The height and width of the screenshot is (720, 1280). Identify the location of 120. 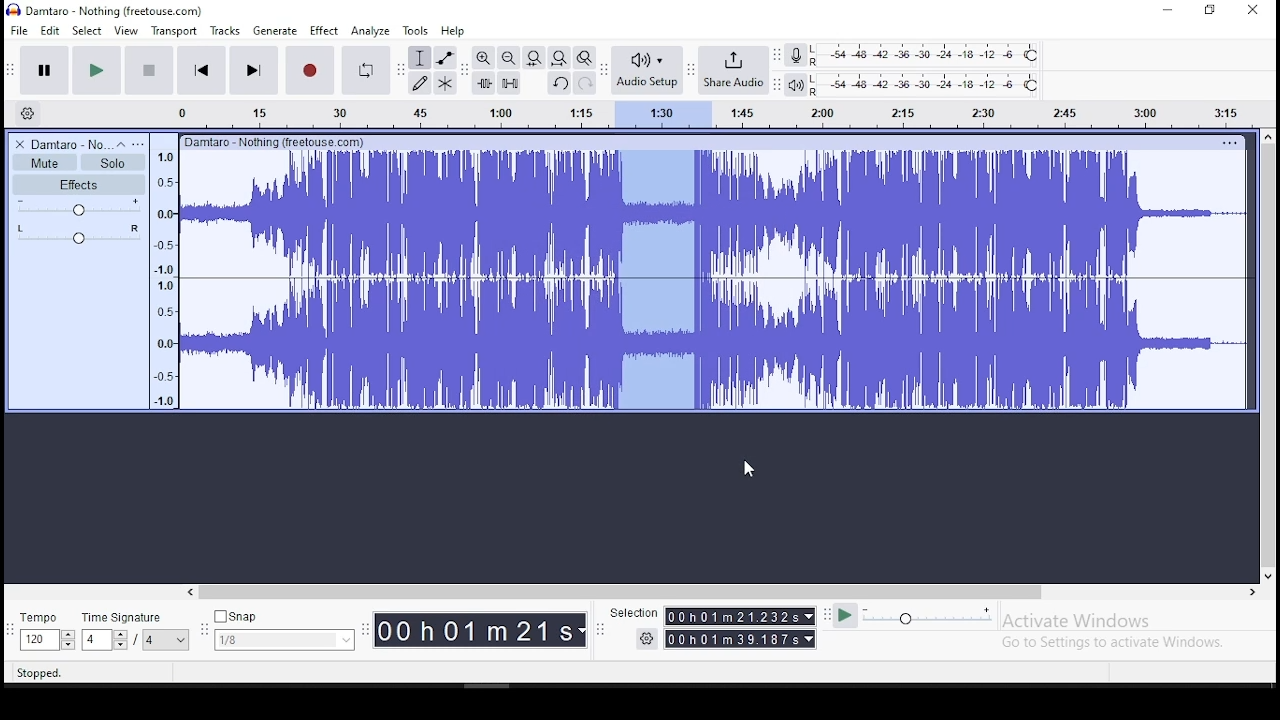
(38, 641).